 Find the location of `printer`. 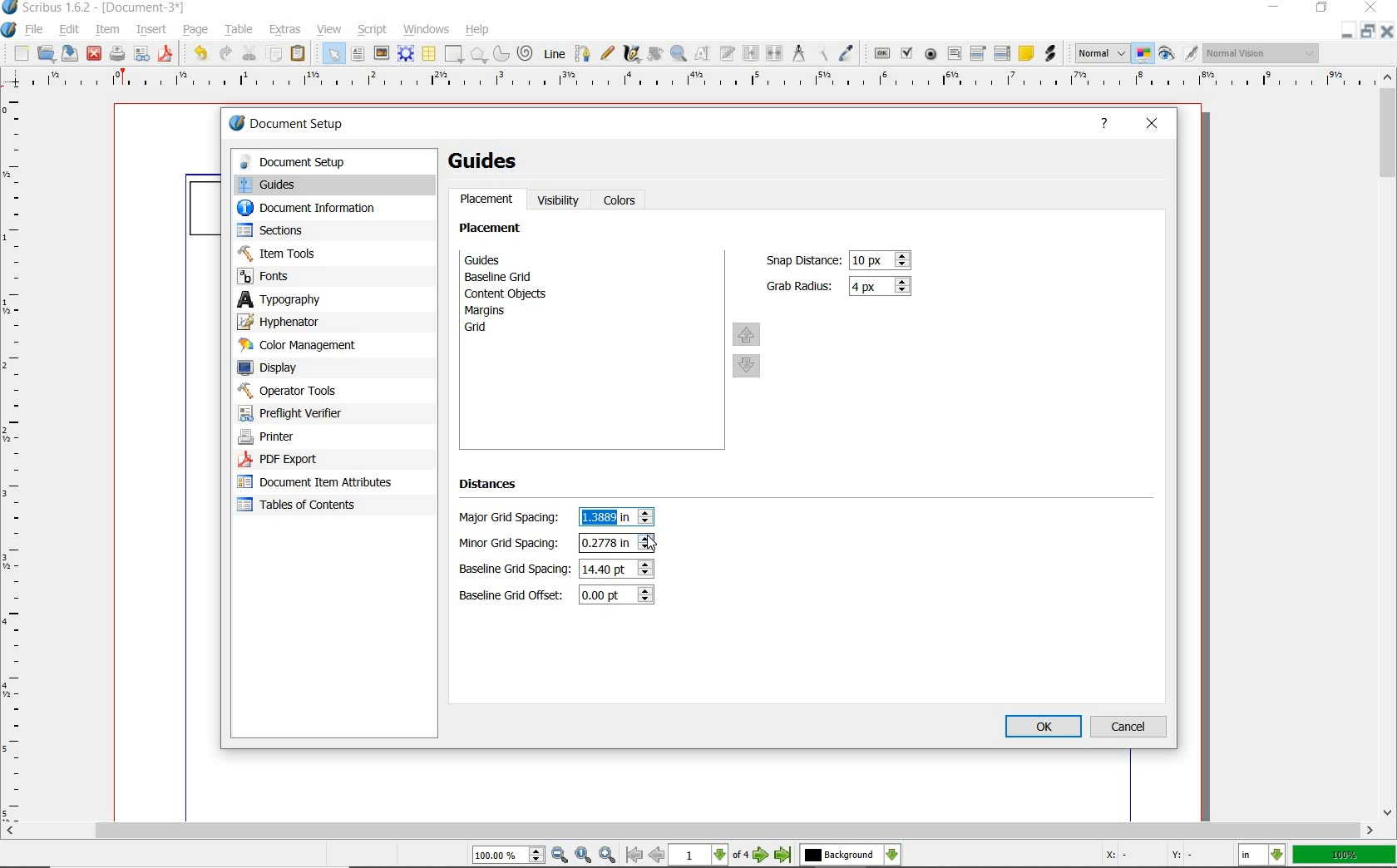

printer is located at coordinates (318, 437).